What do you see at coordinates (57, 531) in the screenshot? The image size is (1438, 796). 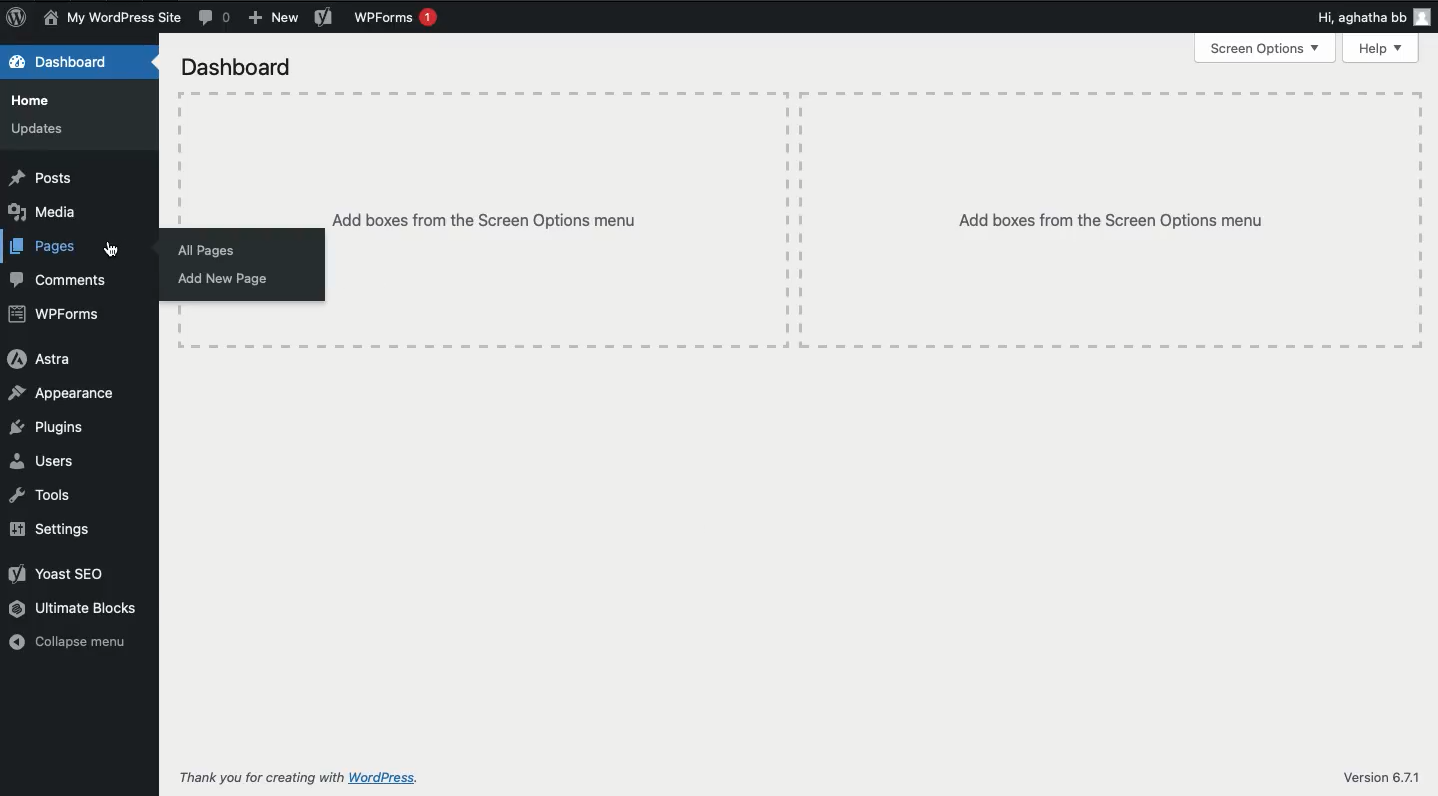 I see `Settings` at bounding box center [57, 531].